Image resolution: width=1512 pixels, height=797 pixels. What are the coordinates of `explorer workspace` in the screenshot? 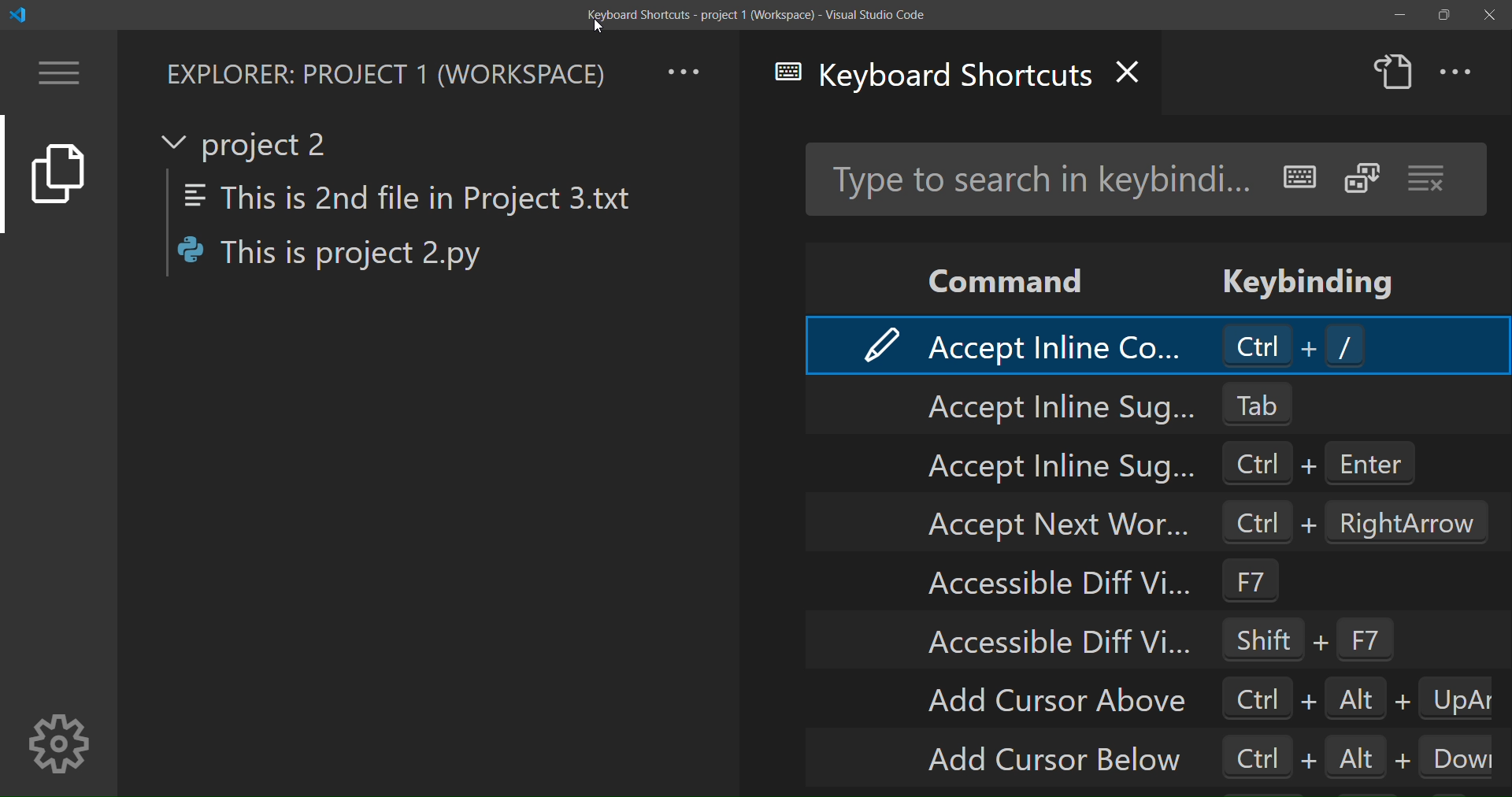 It's located at (384, 72).